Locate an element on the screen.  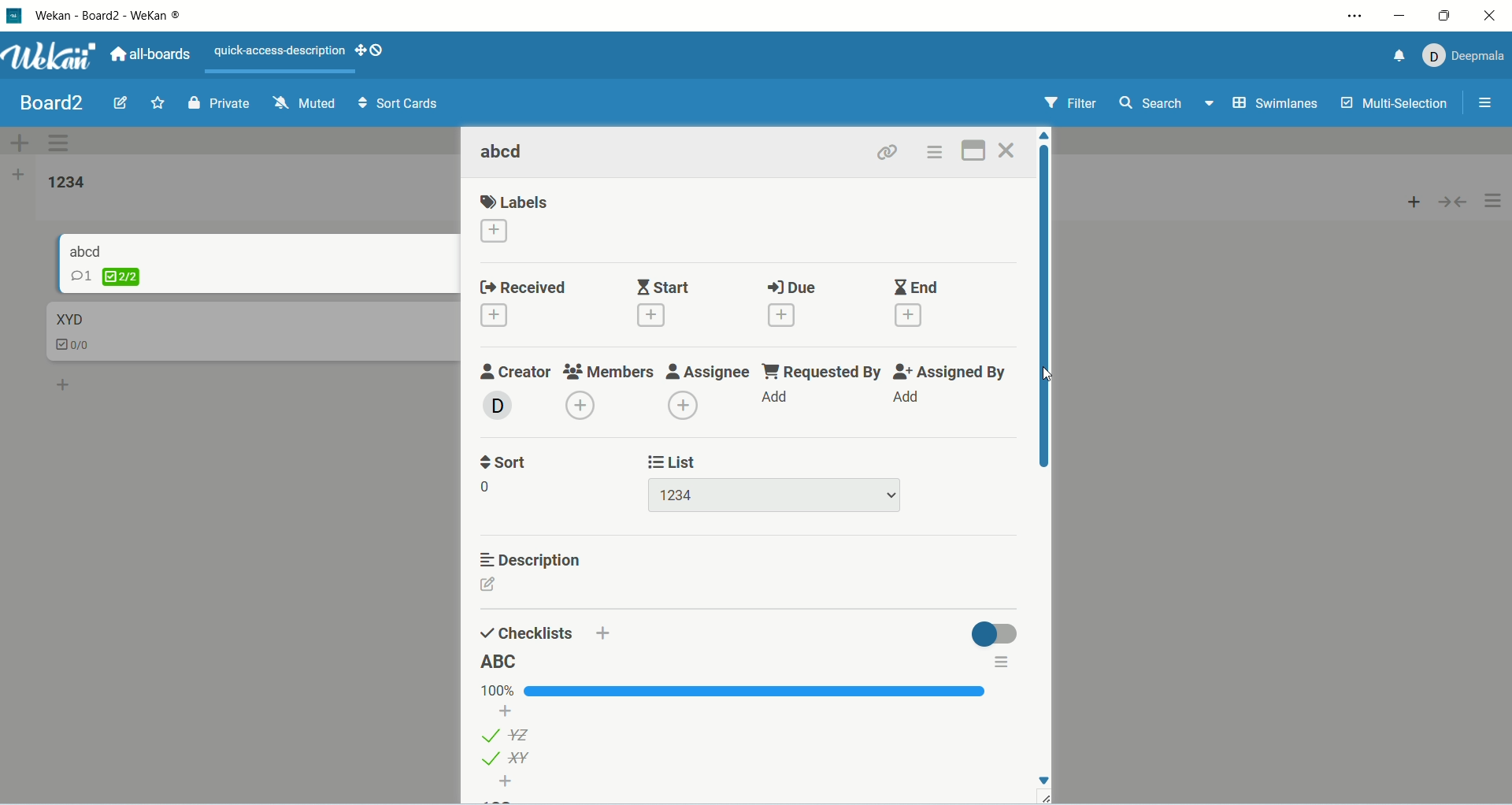
checklist is located at coordinates (105, 276).